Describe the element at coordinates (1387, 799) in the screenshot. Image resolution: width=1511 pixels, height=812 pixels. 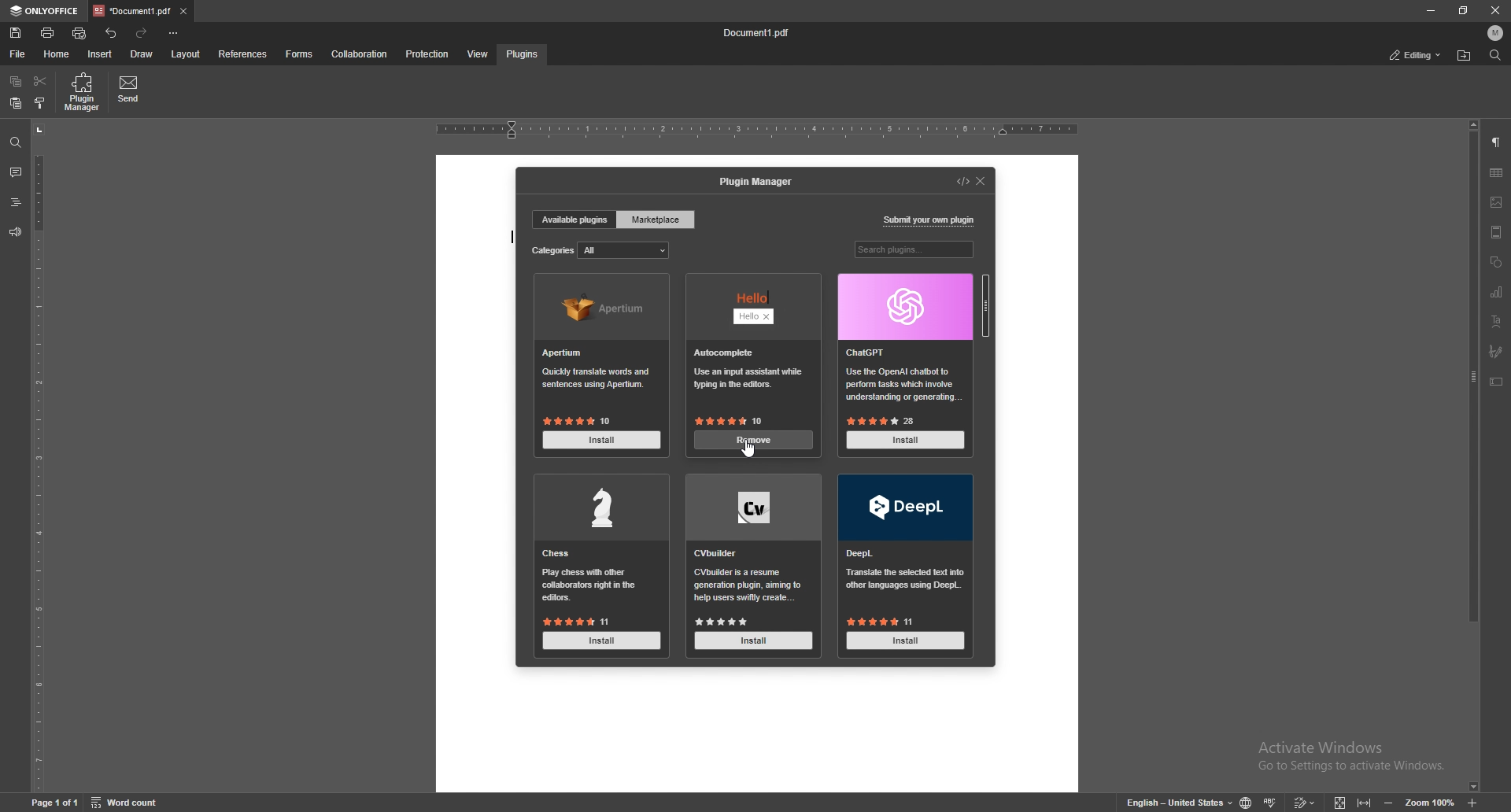
I see `zoom out` at that location.